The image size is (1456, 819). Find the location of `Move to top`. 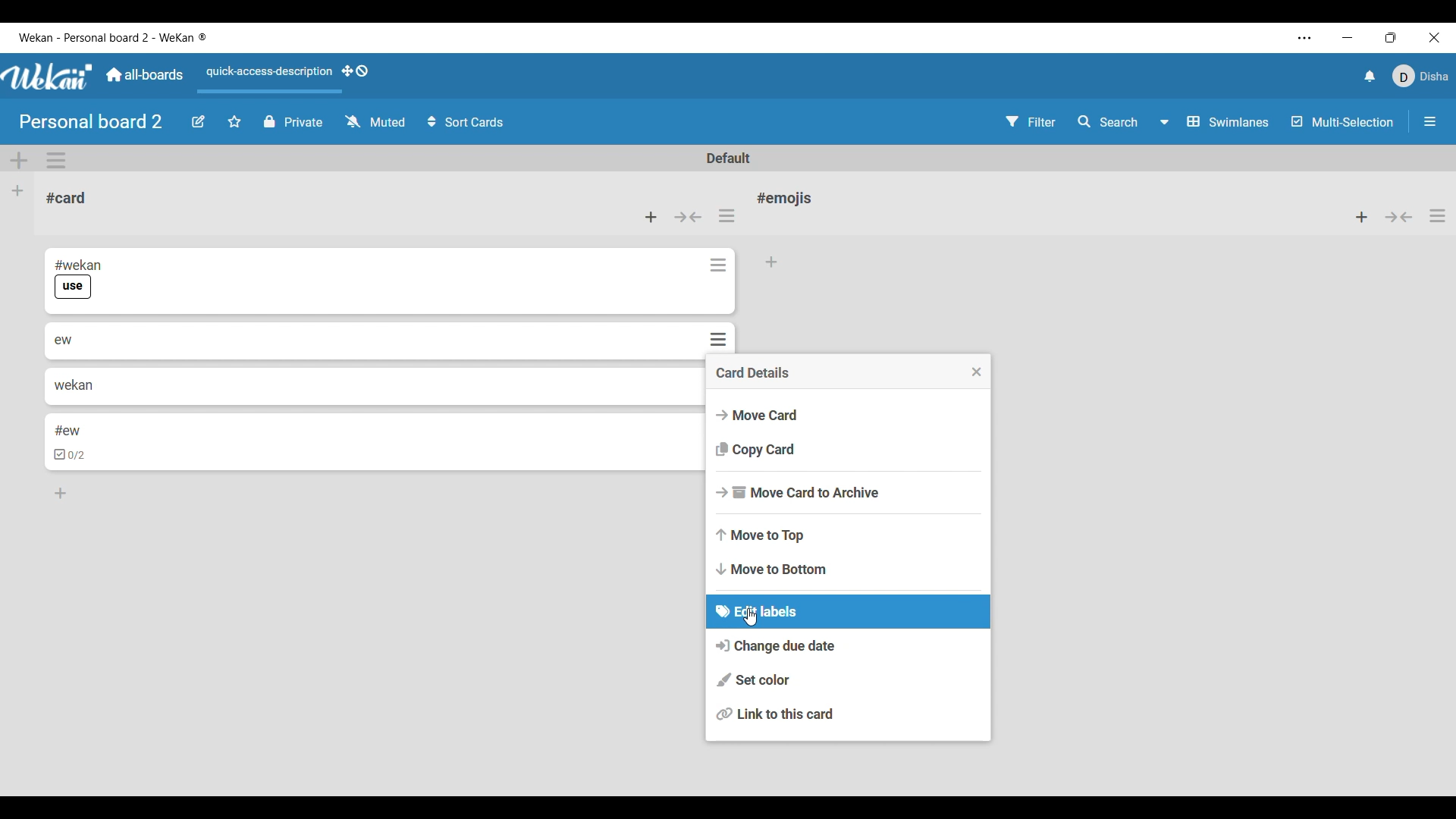

Move to top is located at coordinates (849, 535).